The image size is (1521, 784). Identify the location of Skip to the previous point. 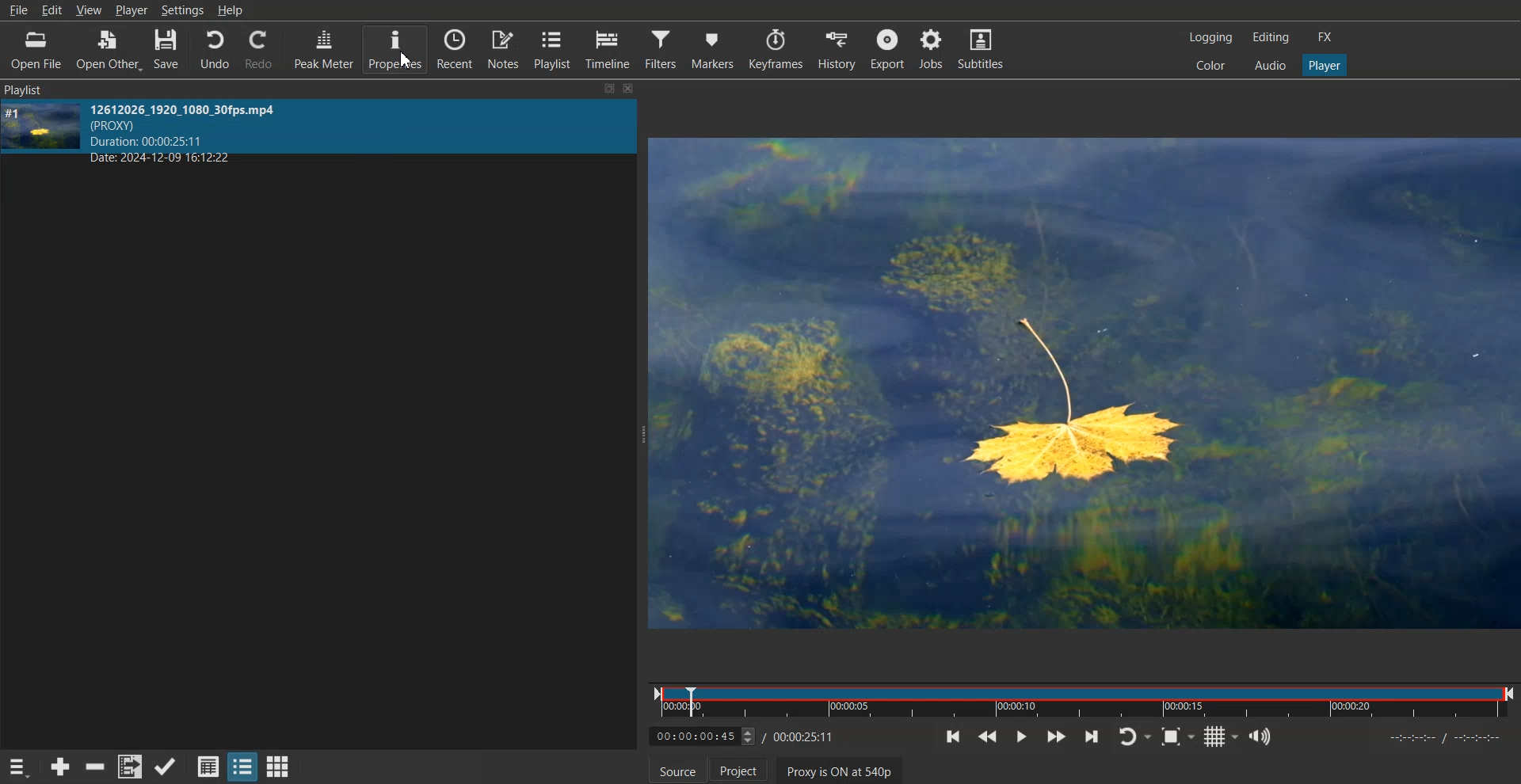
(954, 736).